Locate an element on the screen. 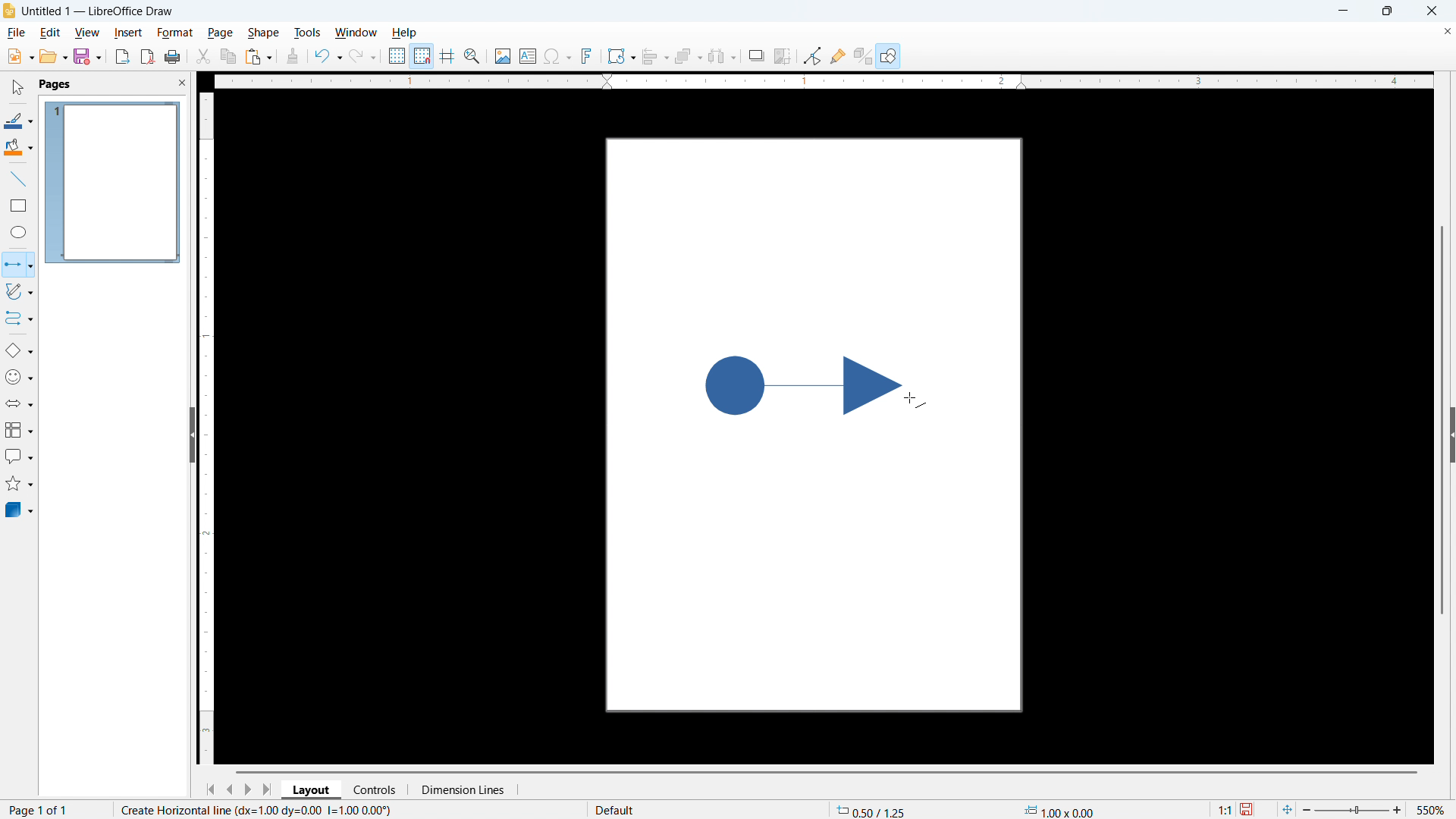 The width and height of the screenshot is (1456, 819). minimise  is located at coordinates (1342, 11).